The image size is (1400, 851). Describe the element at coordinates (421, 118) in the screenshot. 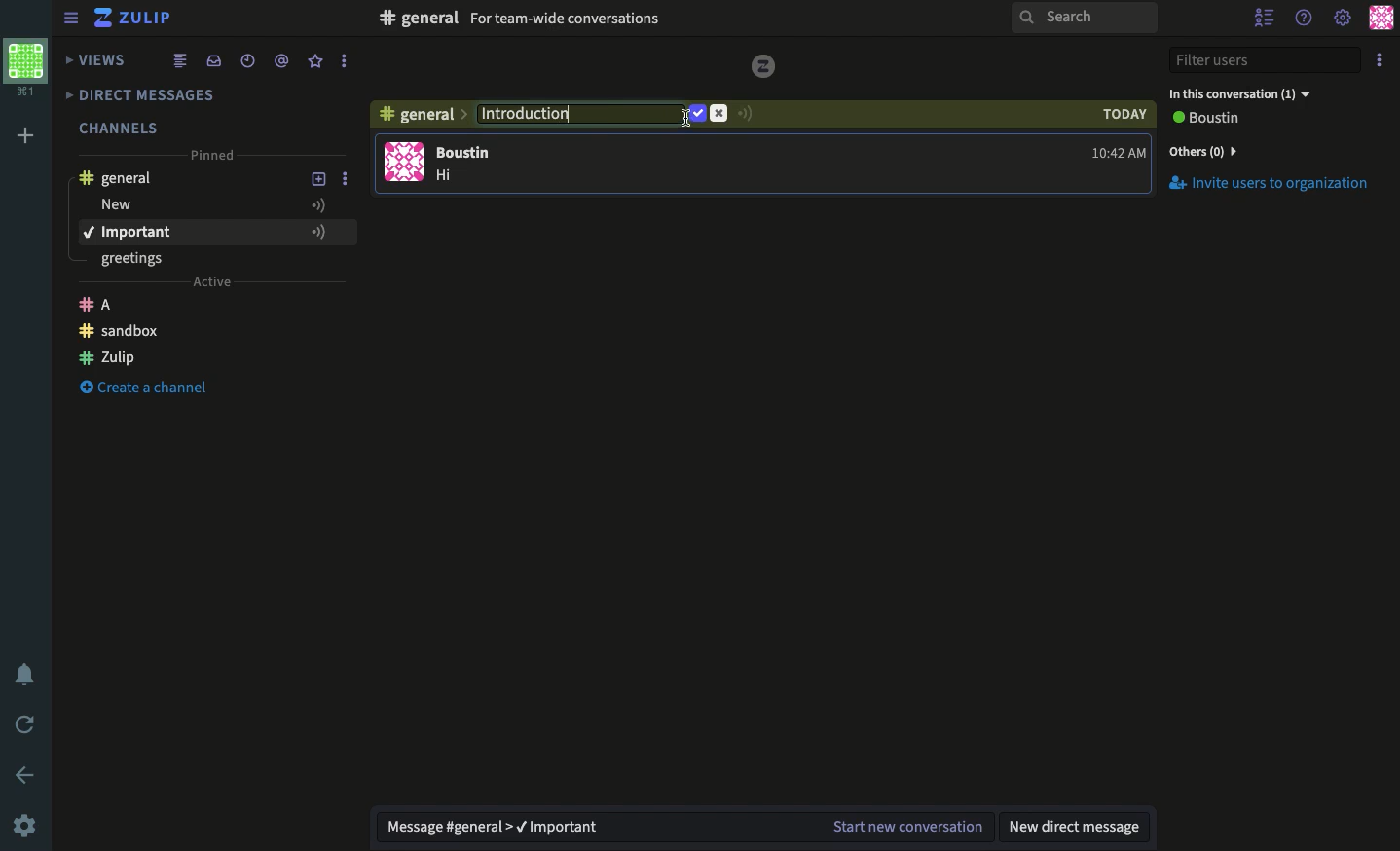

I see `Channel` at that location.